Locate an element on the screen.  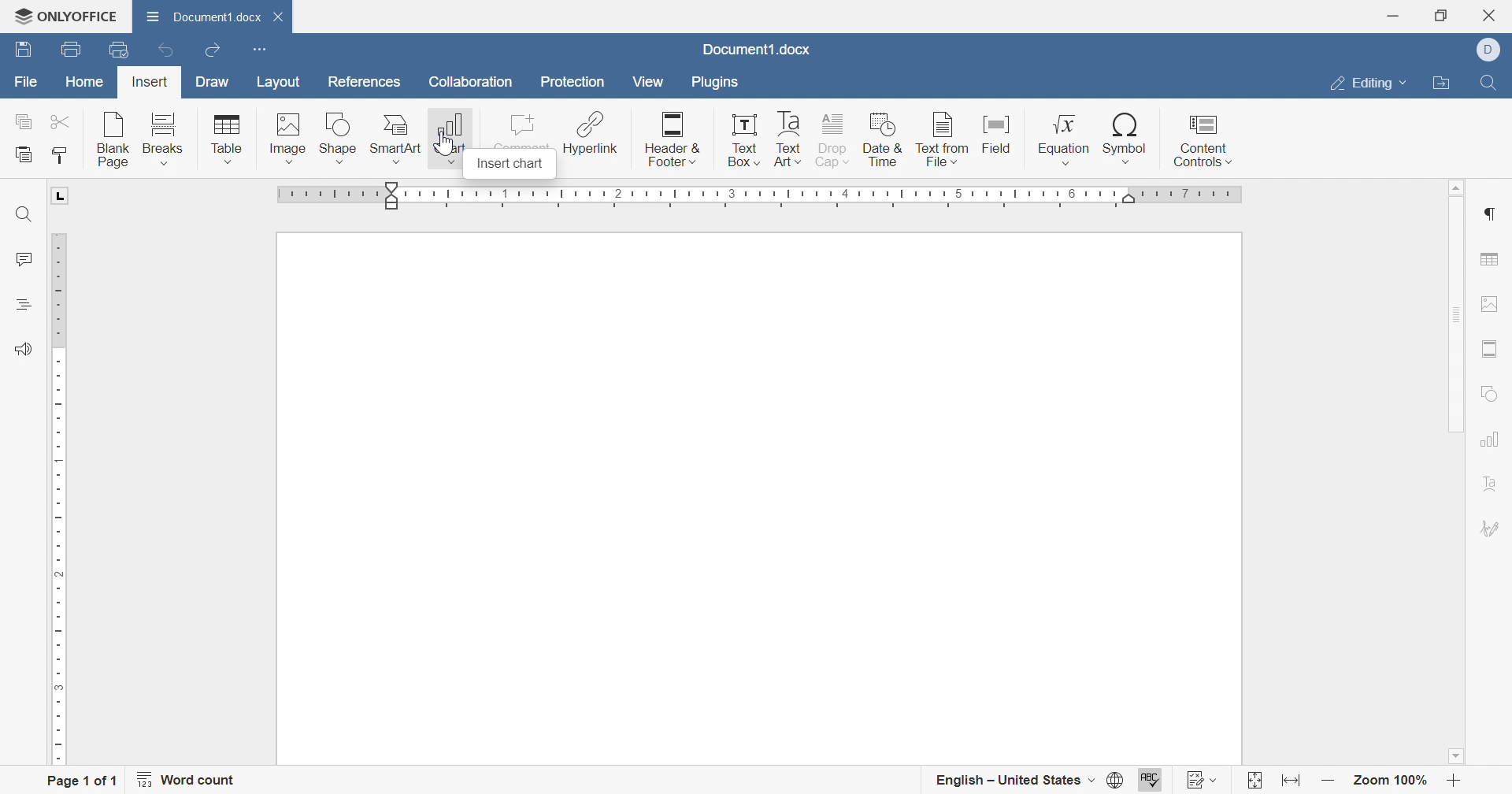
Chart settings is located at coordinates (1495, 439).